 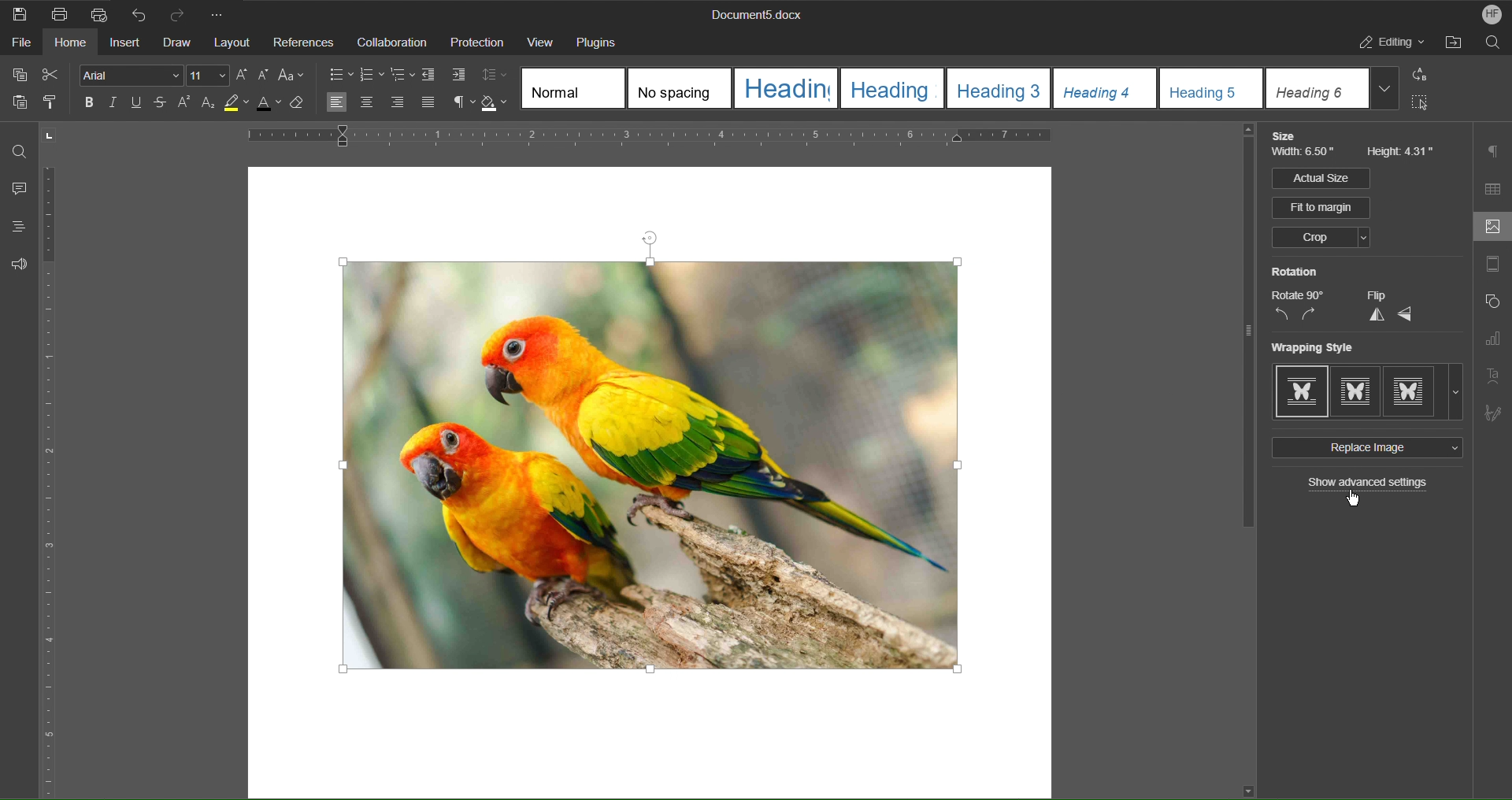 What do you see at coordinates (127, 75) in the screenshot?
I see `Font` at bounding box center [127, 75].